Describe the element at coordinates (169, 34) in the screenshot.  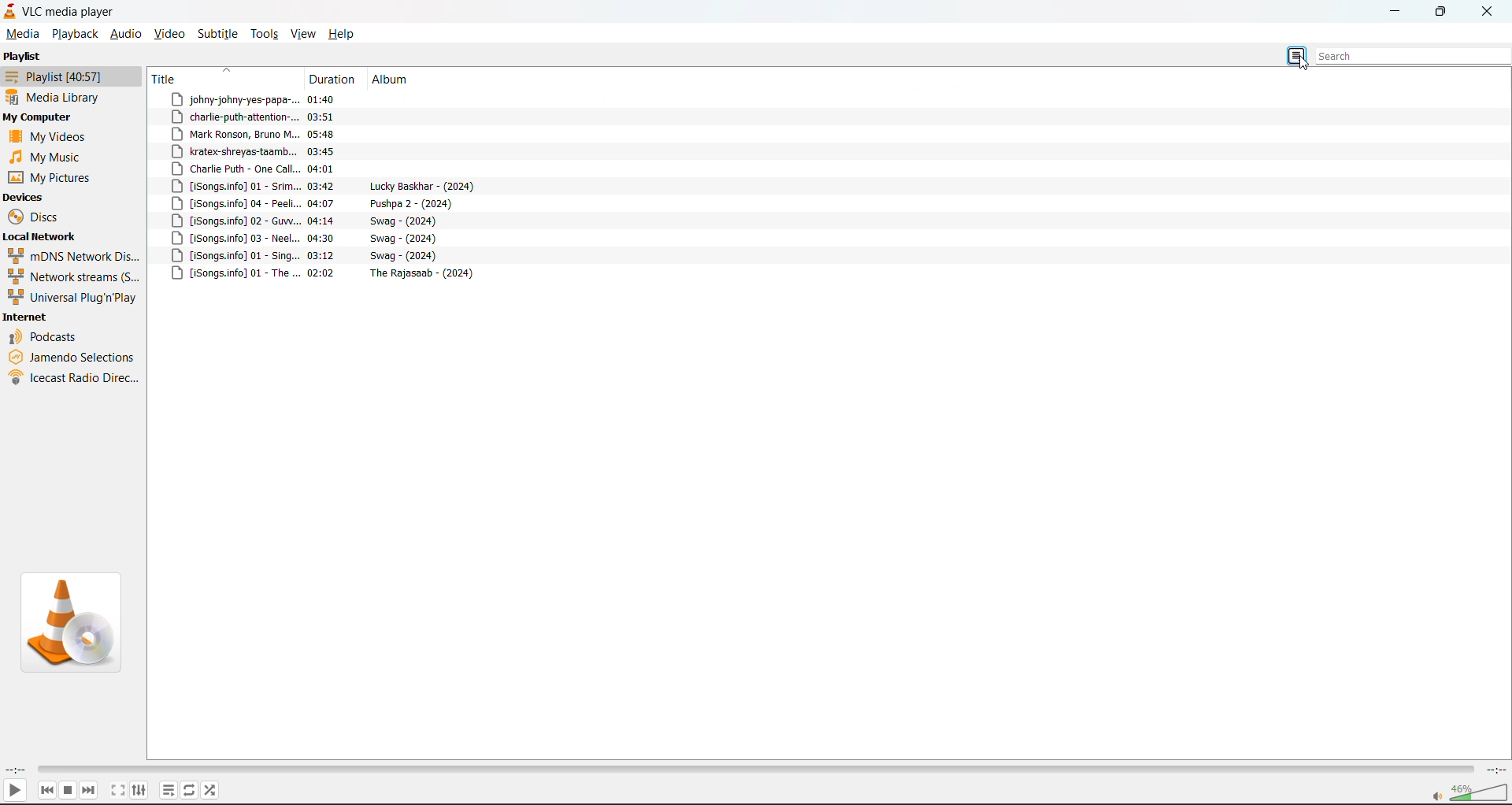
I see `video` at that location.